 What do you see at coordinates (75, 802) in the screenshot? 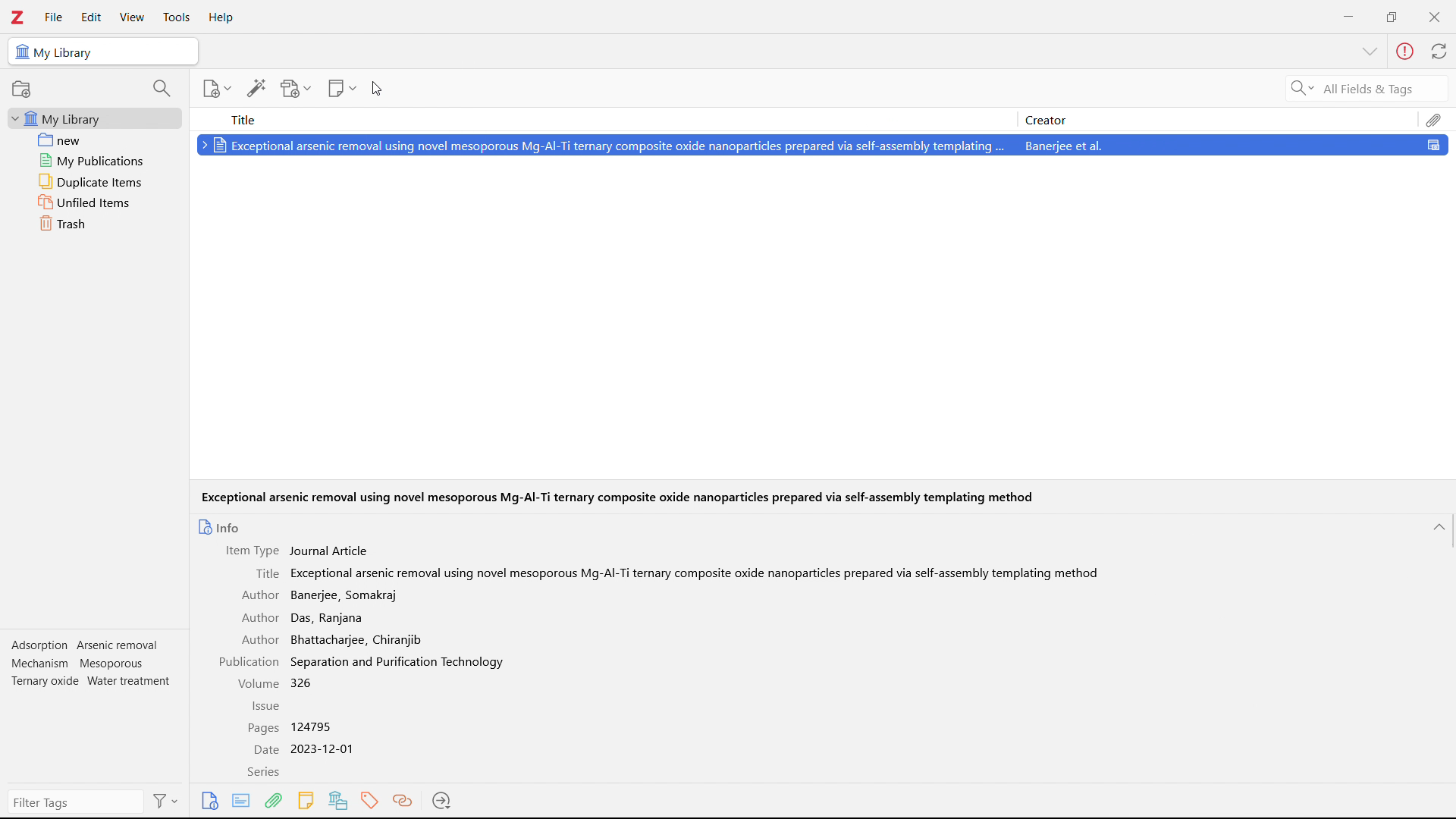
I see `filter tags` at bounding box center [75, 802].